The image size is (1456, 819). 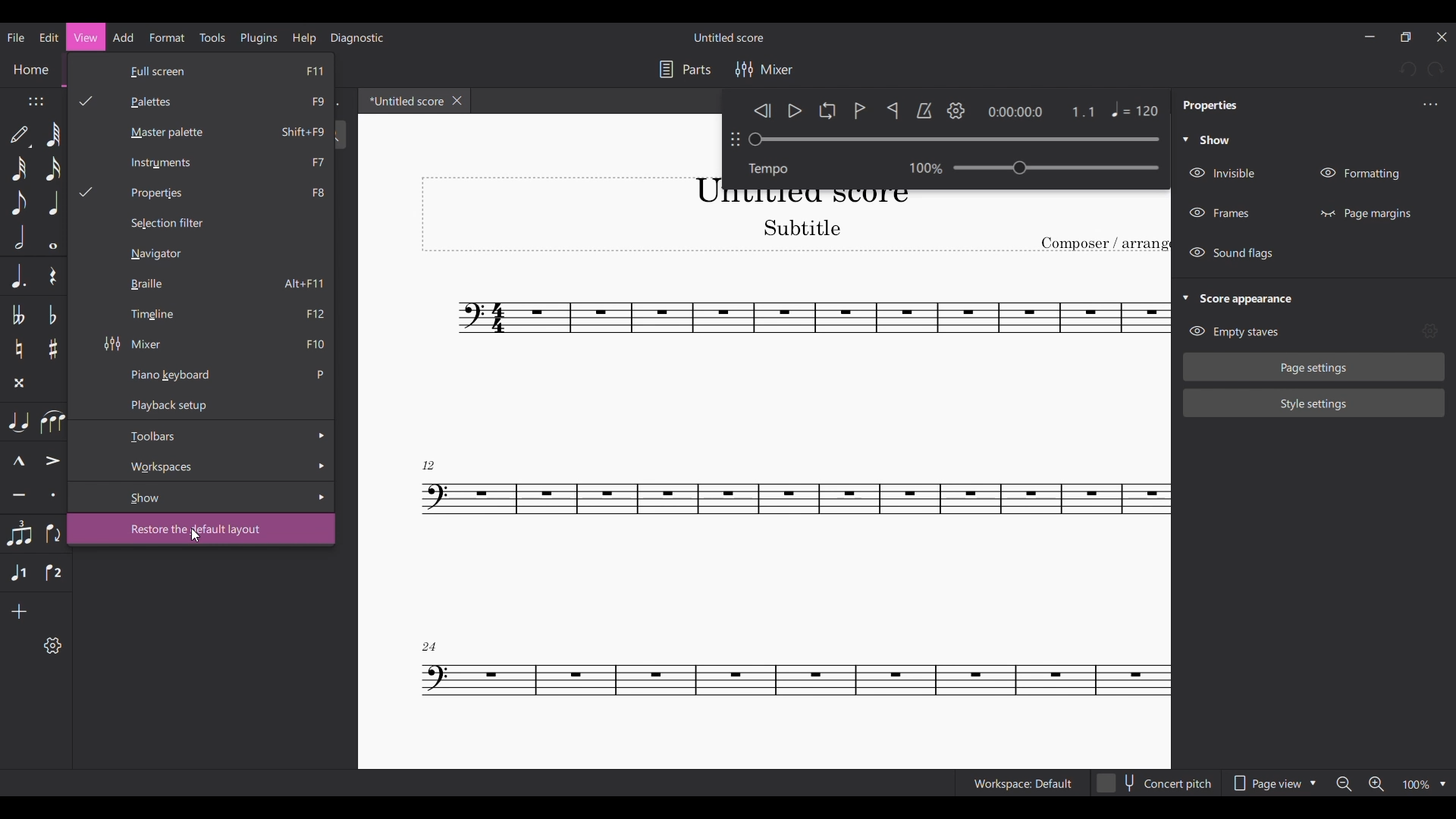 What do you see at coordinates (1275, 783) in the screenshot?
I see `Page view` at bounding box center [1275, 783].